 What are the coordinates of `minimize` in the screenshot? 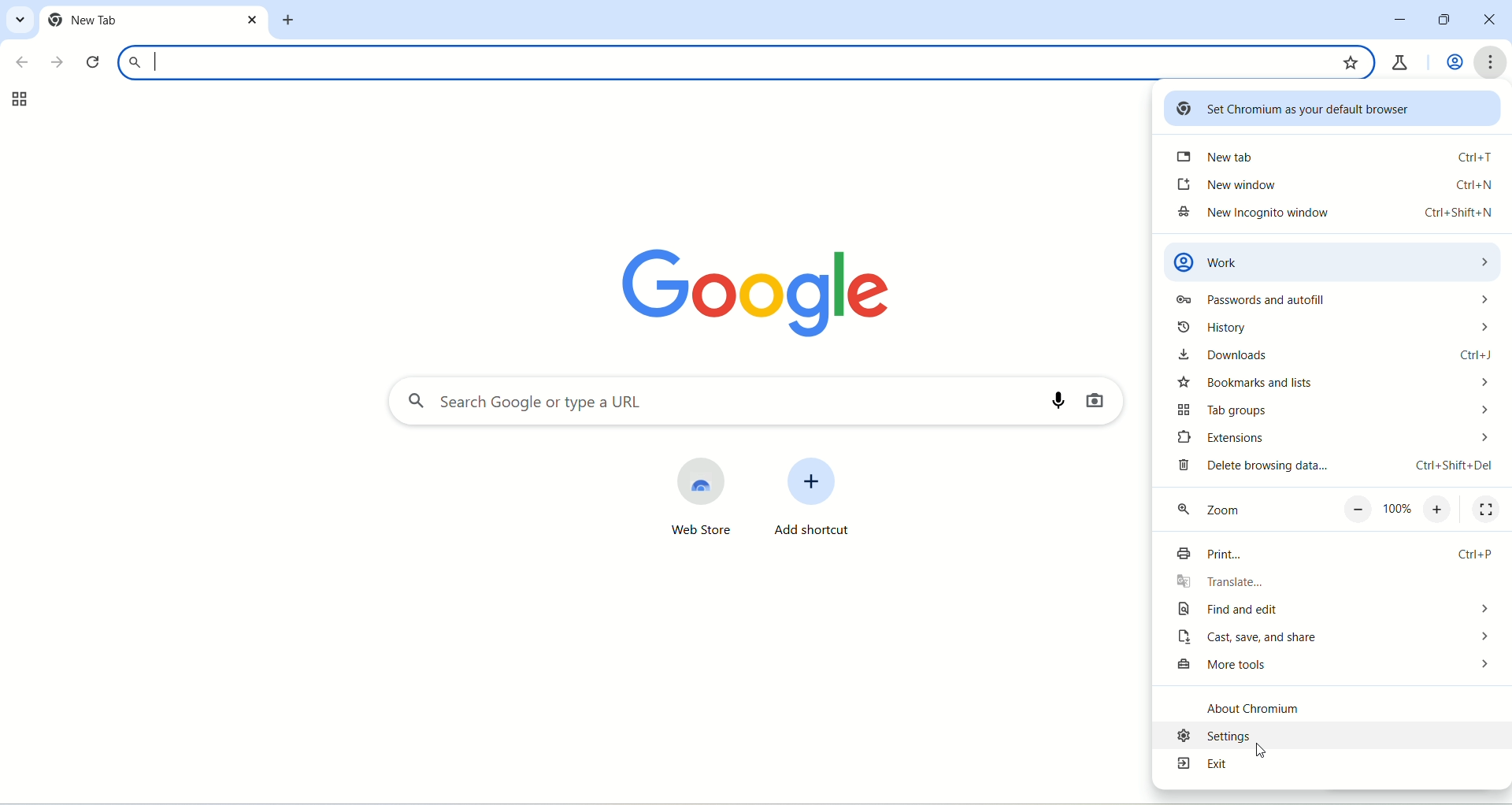 It's located at (1400, 20).